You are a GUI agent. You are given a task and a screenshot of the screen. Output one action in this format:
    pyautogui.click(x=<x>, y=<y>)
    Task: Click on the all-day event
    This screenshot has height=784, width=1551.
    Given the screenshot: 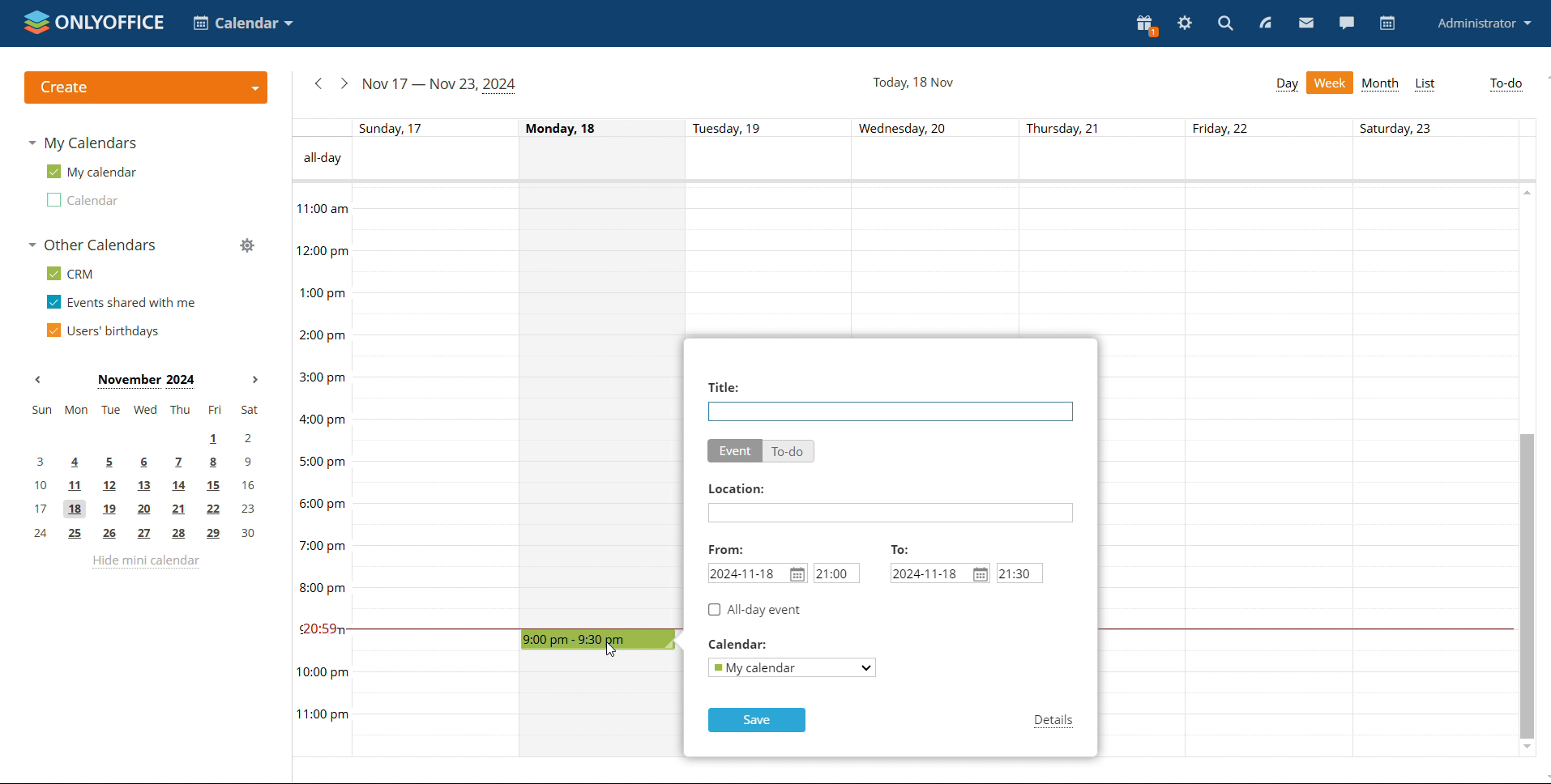 What is the action you would take?
    pyautogui.click(x=934, y=160)
    